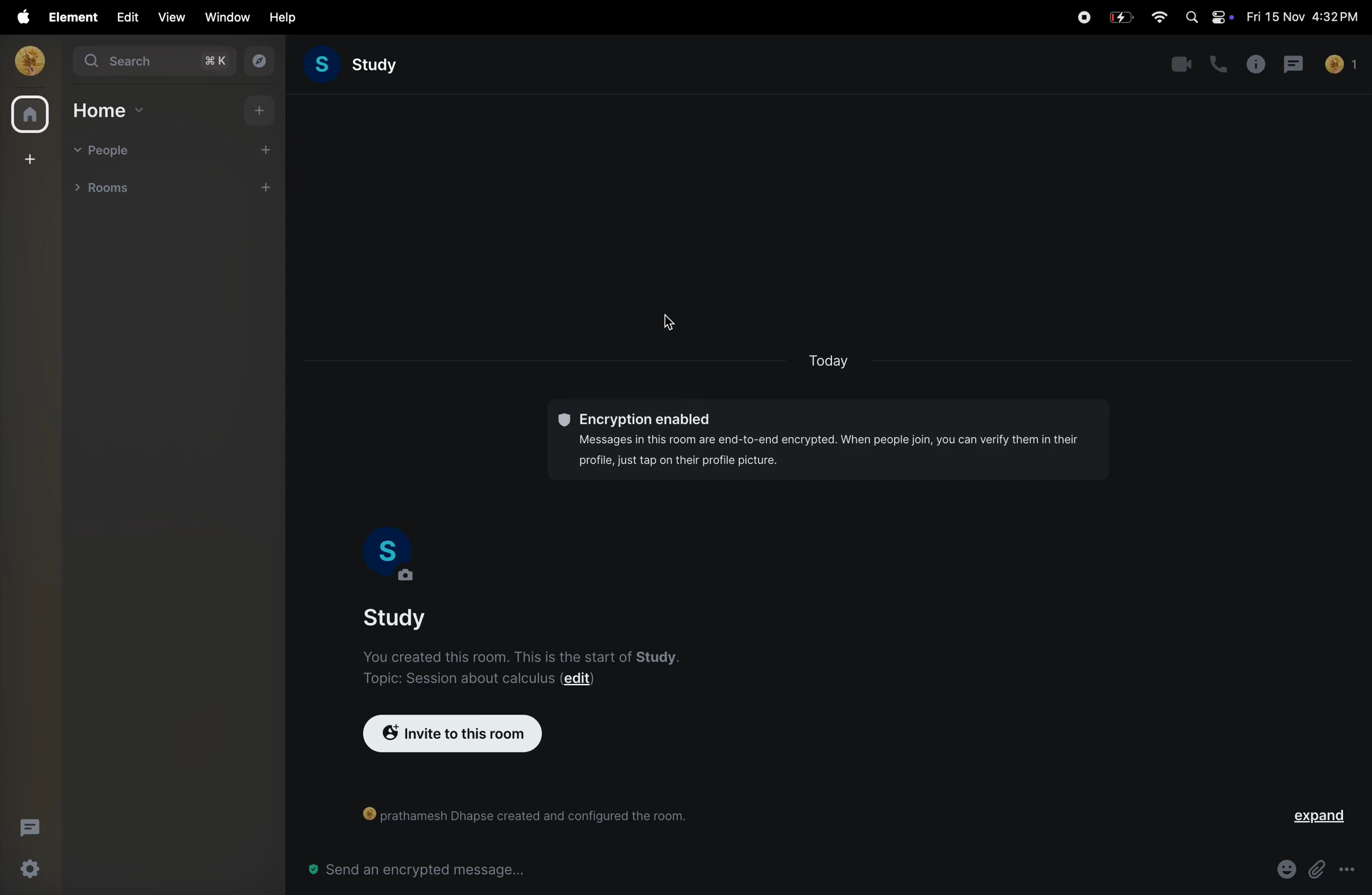 This screenshot has height=895, width=1372. Describe the element at coordinates (390, 556) in the screenshot. I see `room profile` at that location.